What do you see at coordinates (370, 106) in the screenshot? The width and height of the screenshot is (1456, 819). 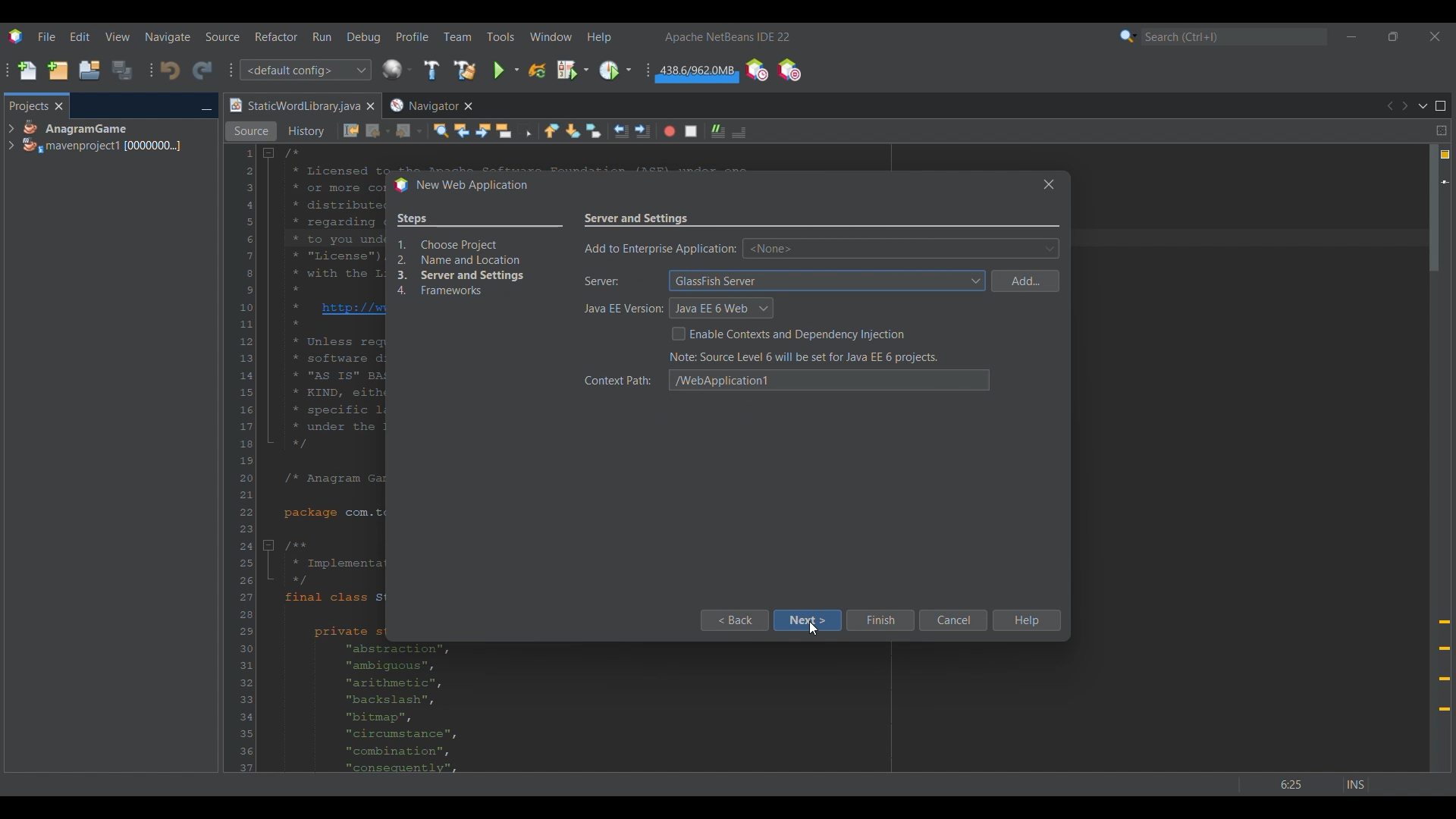 I see `Close` at bounding box center [370, 106].